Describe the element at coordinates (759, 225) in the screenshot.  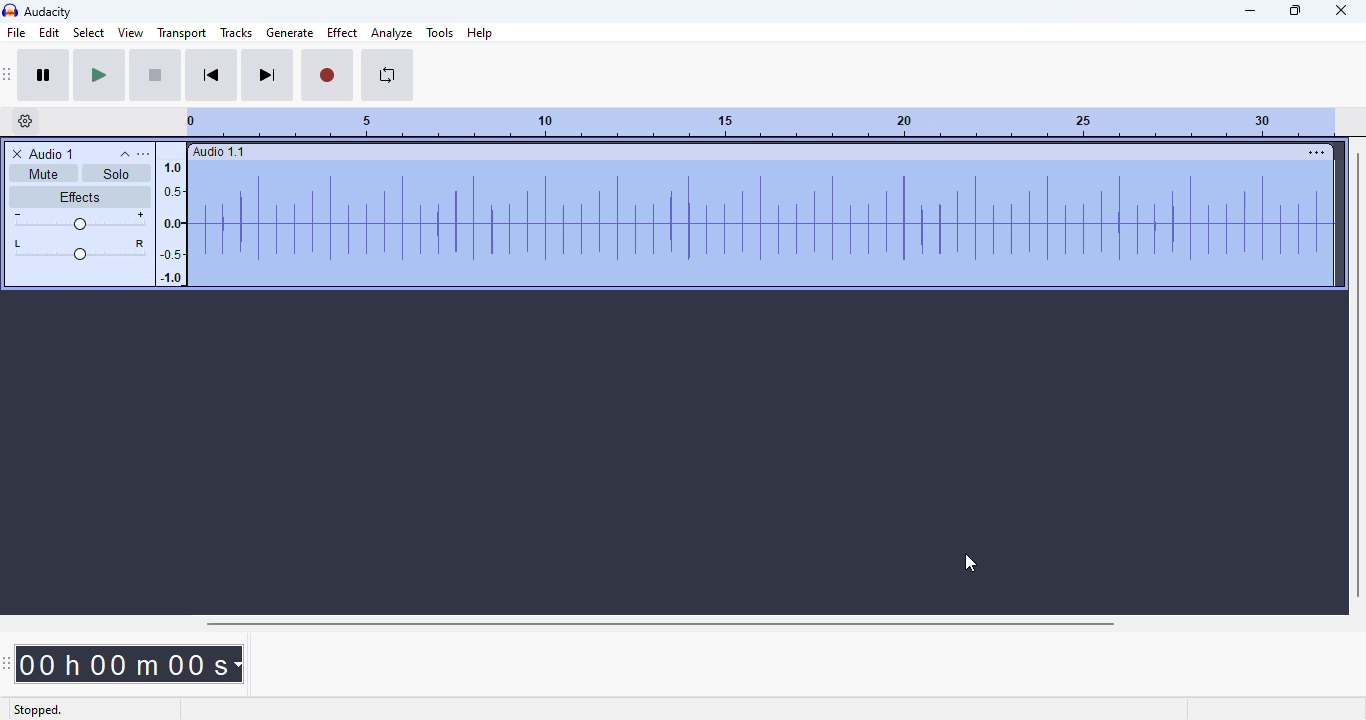
I see `click track generated for reference` at that location.